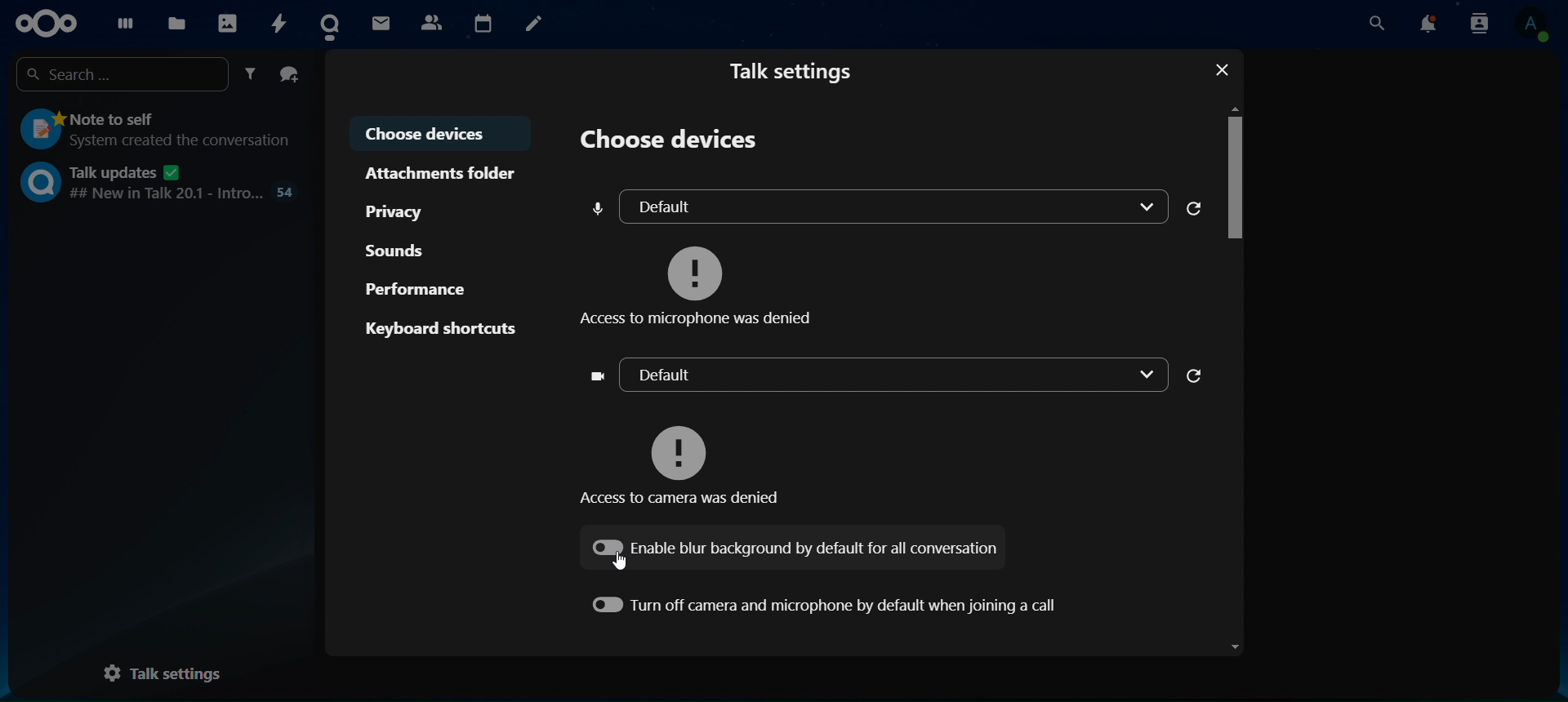 Image resolution: width=1568 pixels, height=702 pixels. What do you see at coordinates (1432, 25) in the screenshot?
I see `notifications` at bounding box center [1432, 25].